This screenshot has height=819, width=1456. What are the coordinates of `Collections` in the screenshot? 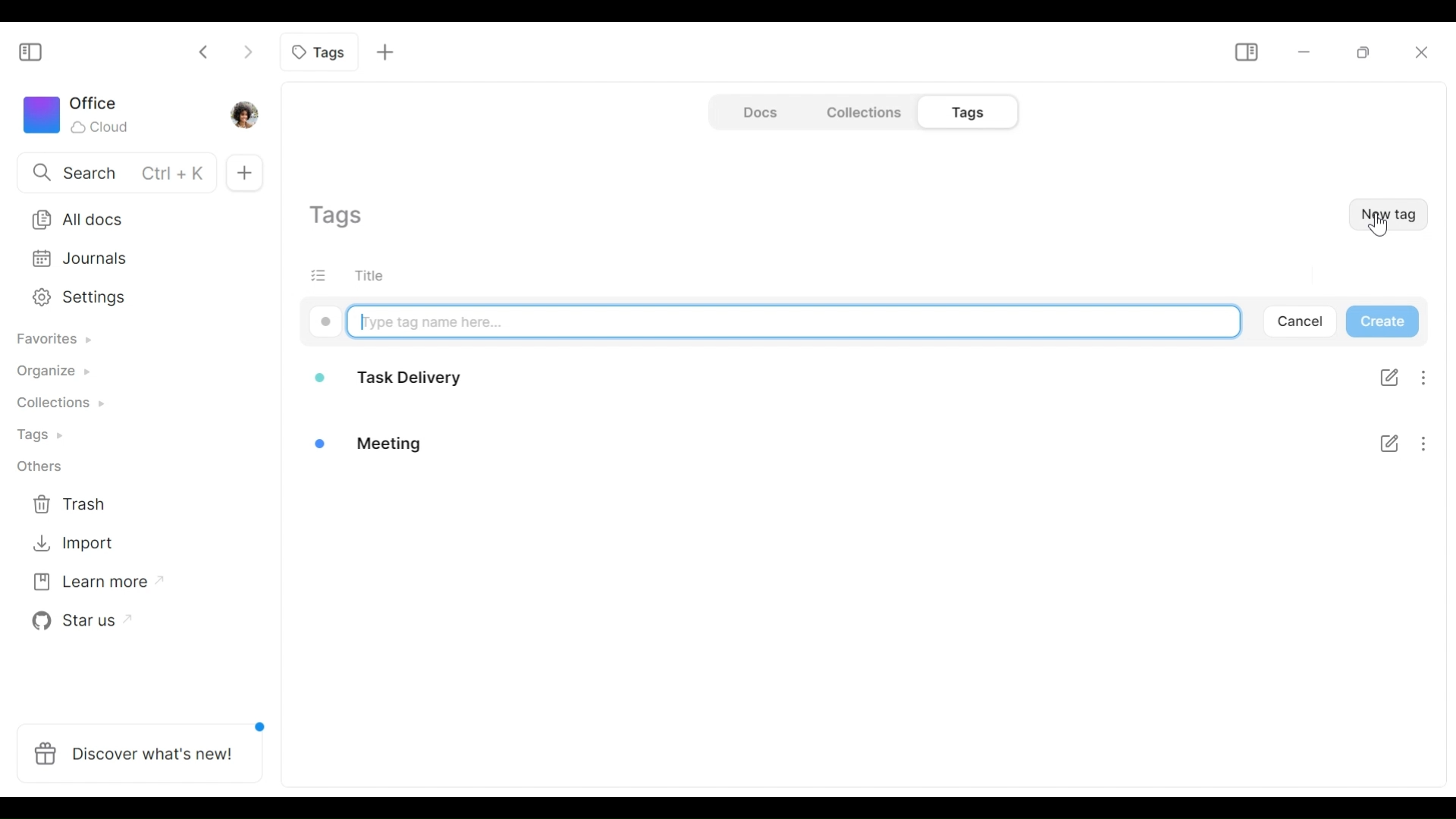 It's located at (54, 407).